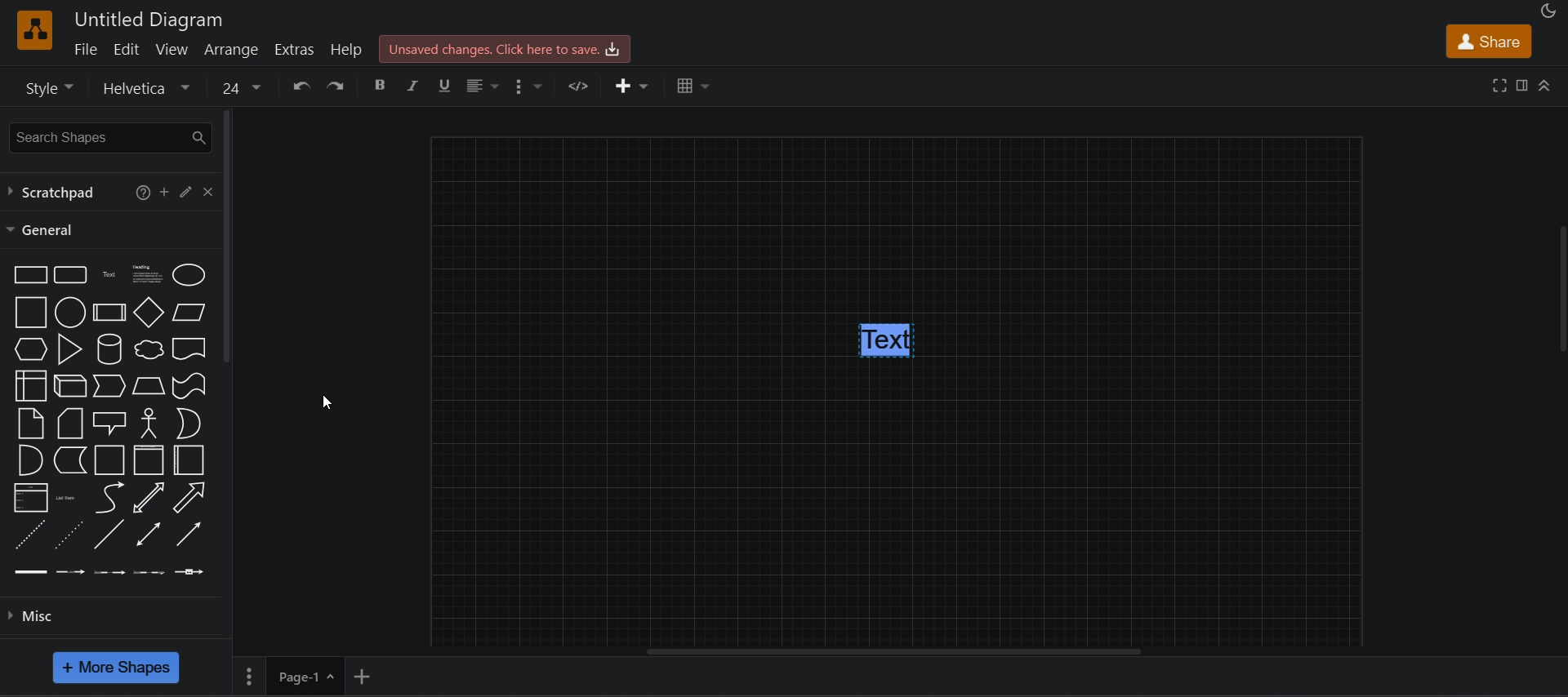 Image resolution: width=1568 pixels, height=697 pixels. What do you see at coordinates (892, 651) in the screenshot?
I see `horizontal scroll bar` at bounding box center [892, 651].